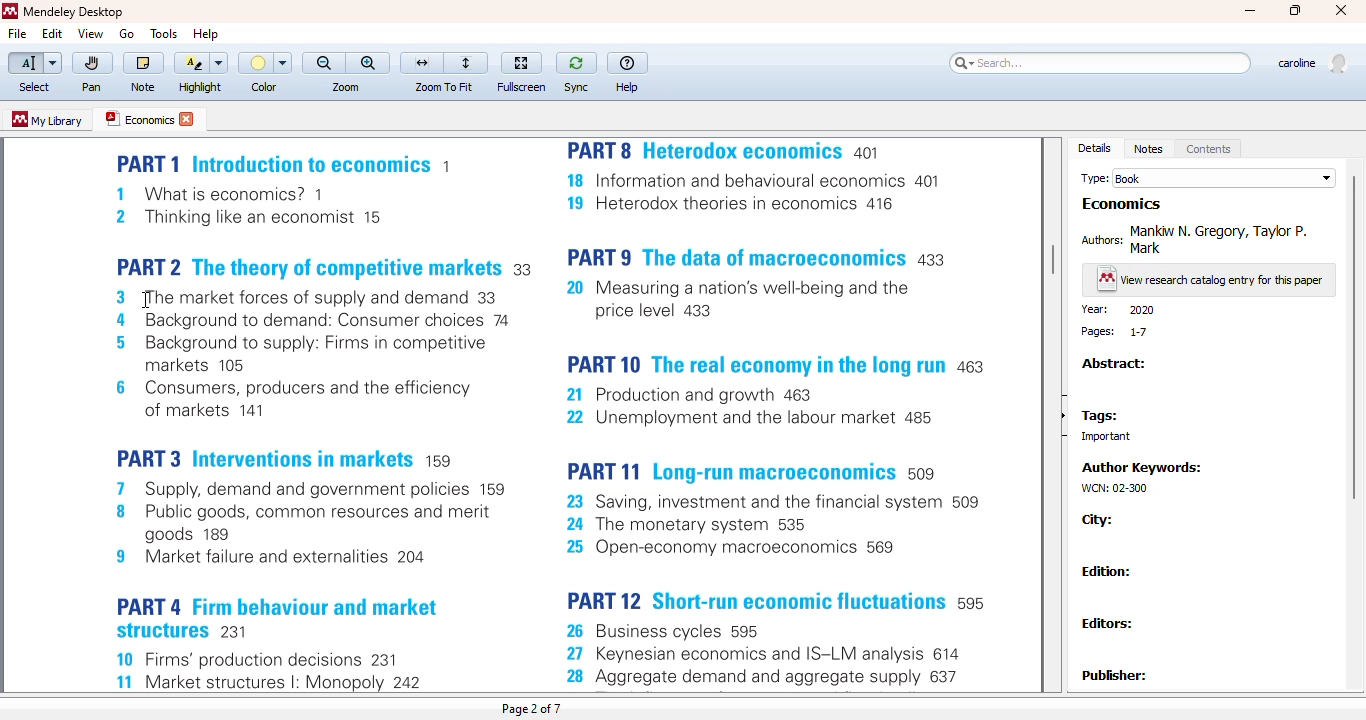 The height and width of the screenshot is (720, 1366). I want to click on Color, so click(267, 63).